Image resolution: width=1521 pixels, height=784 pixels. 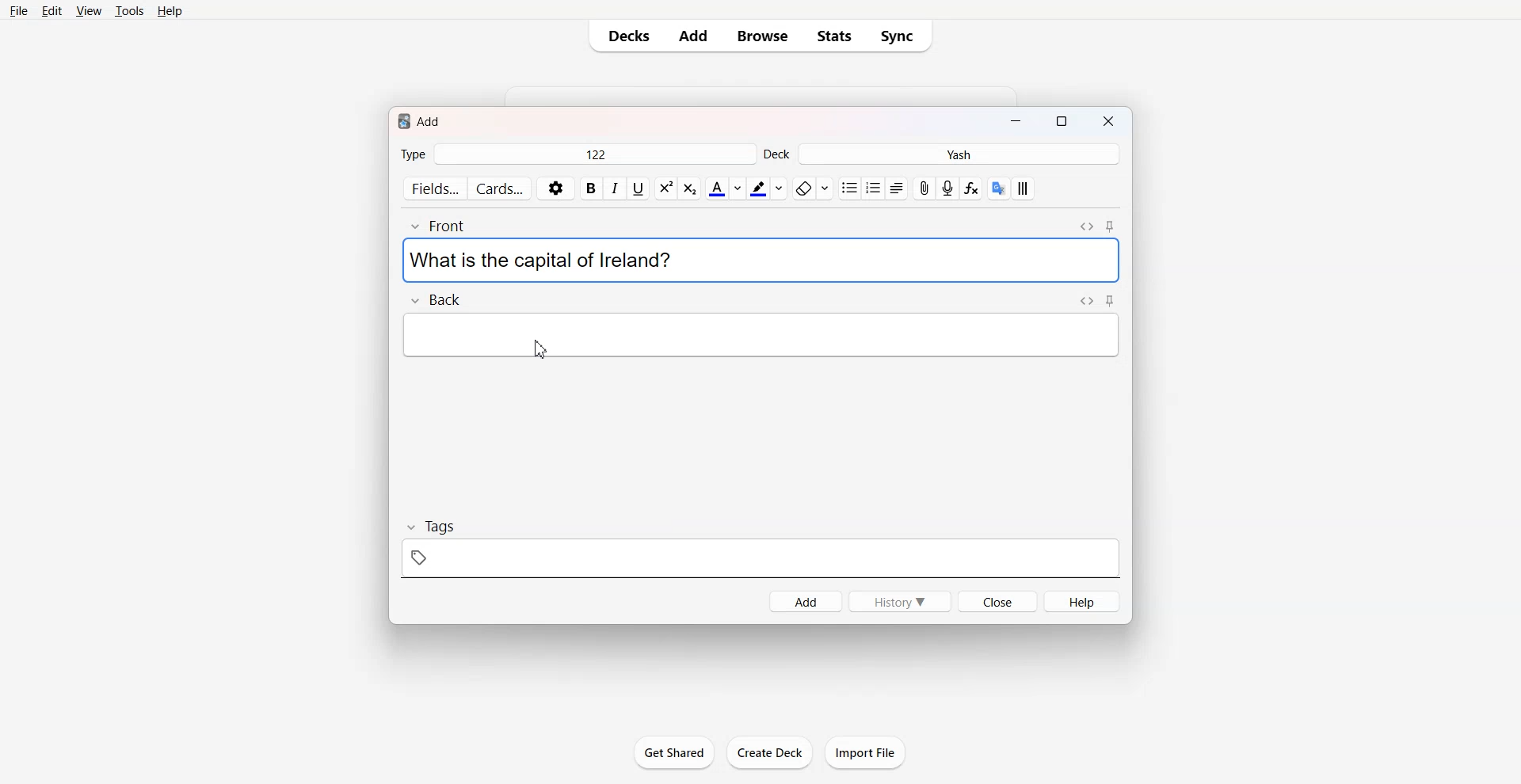 I want to click on Underline, so click(x=638, y=188).